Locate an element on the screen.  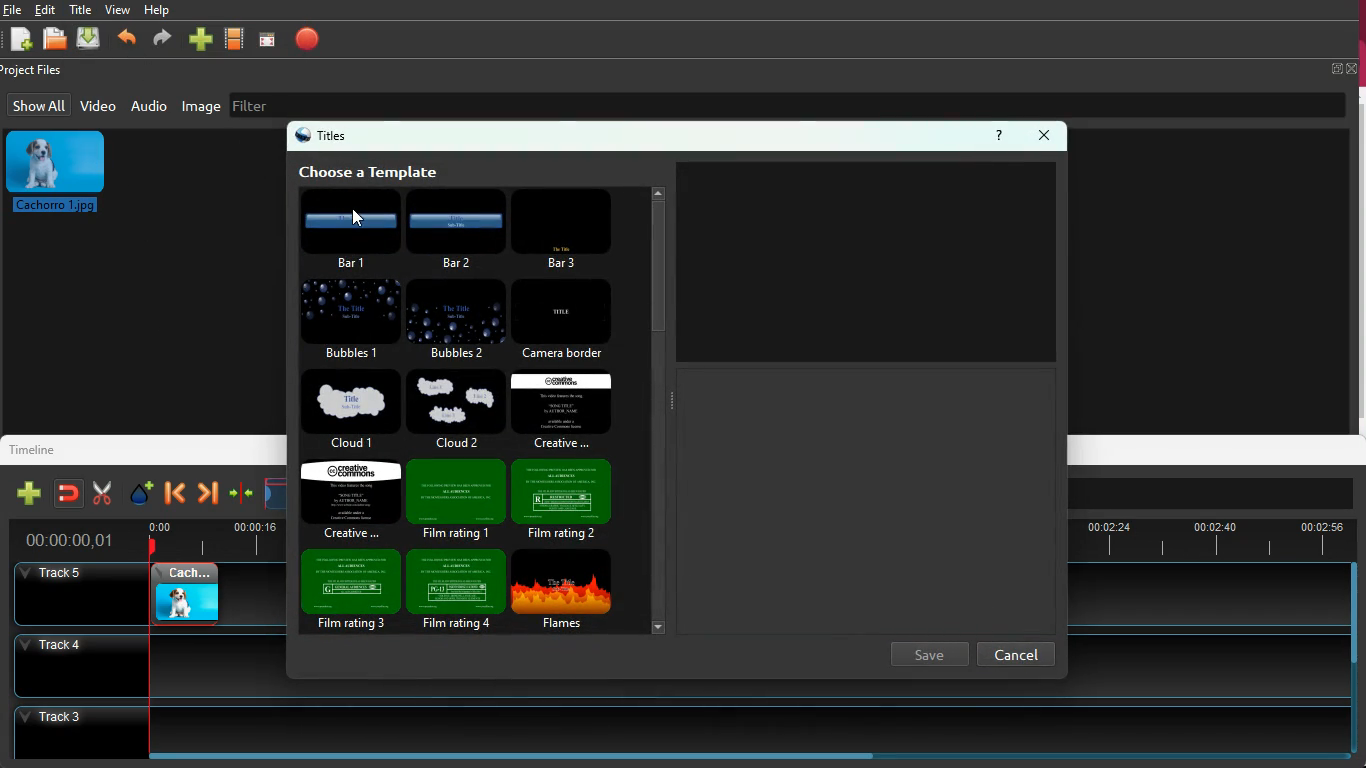
back is located at coordinates (175, 493).